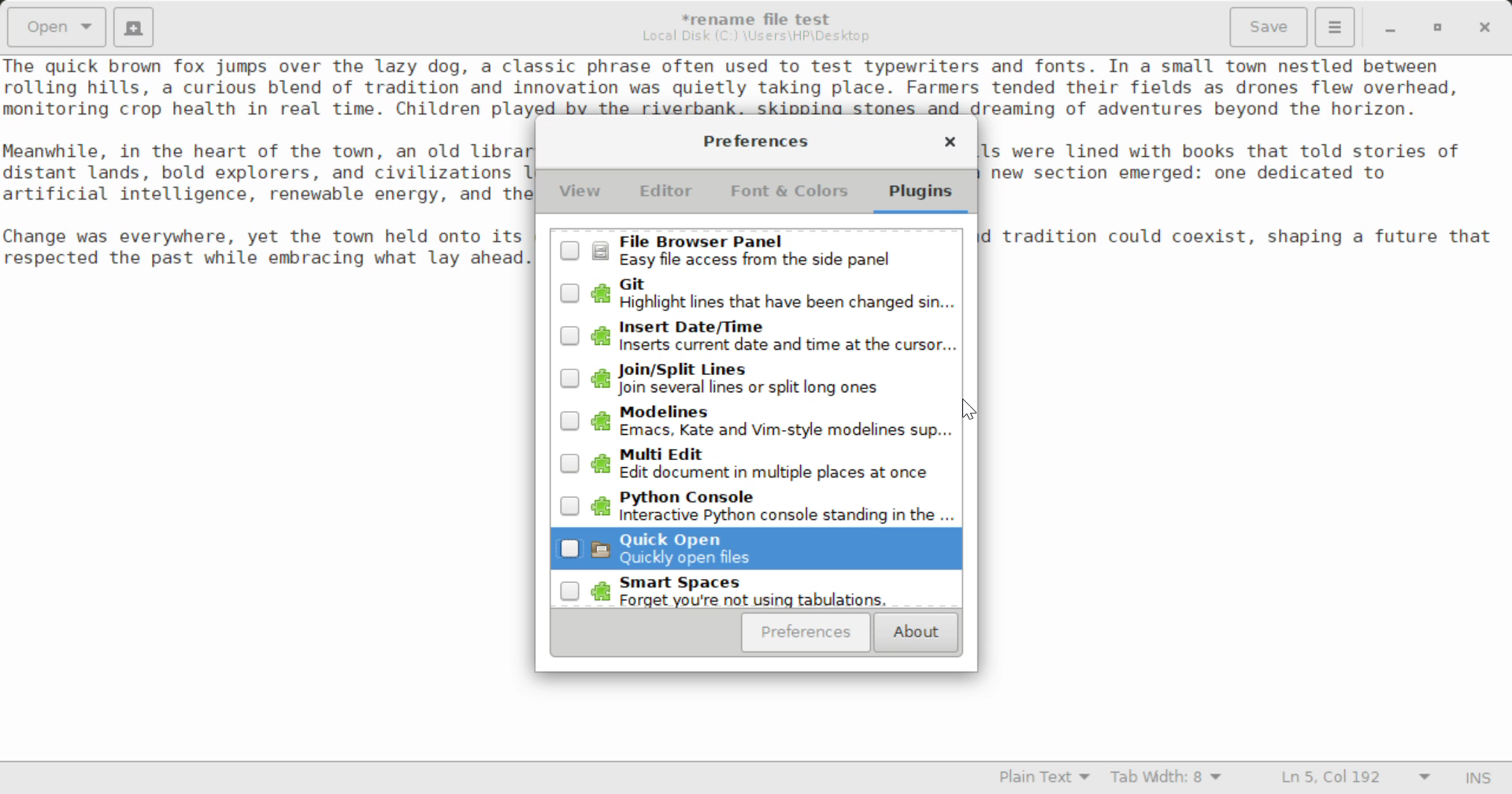 The height and width of the screenshot is (794, 1512). I want to click on Input Mode, so click(1478, 780).